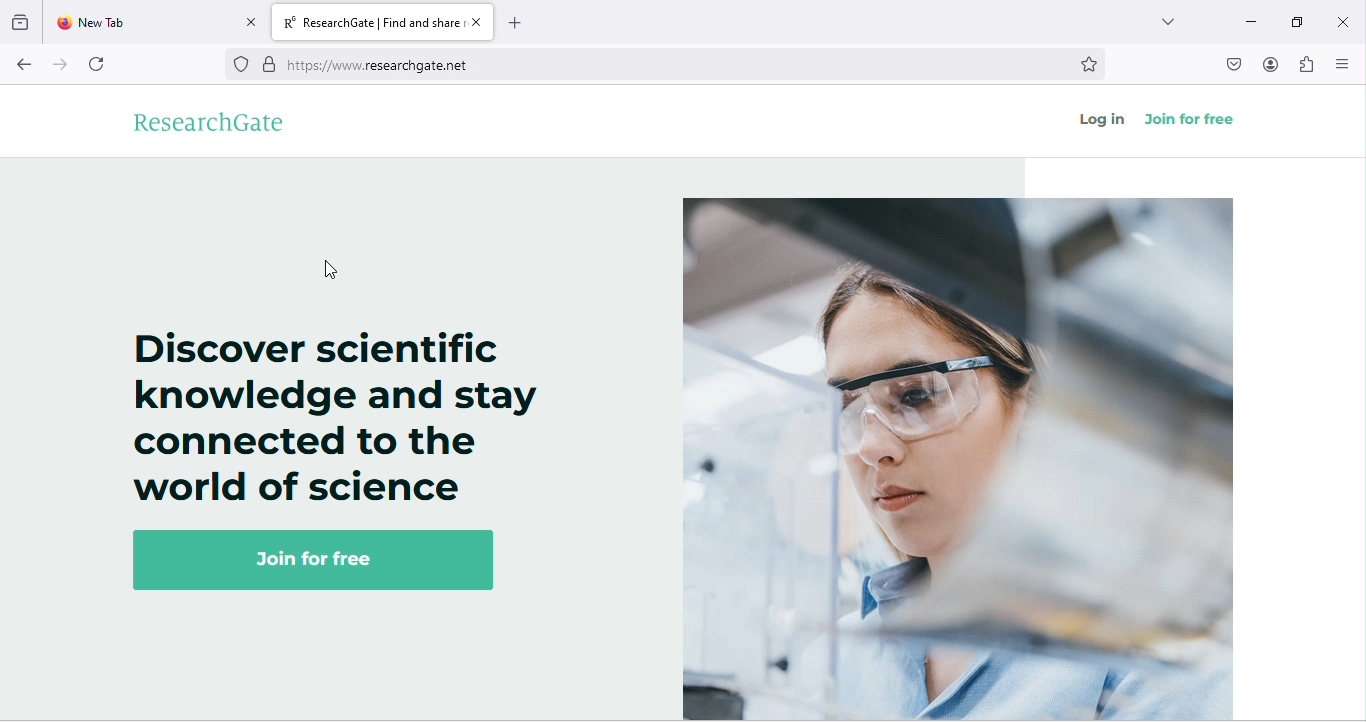 The width and height of the screenshot is (1366, 722). I want to click on account, so click(1271, 64).